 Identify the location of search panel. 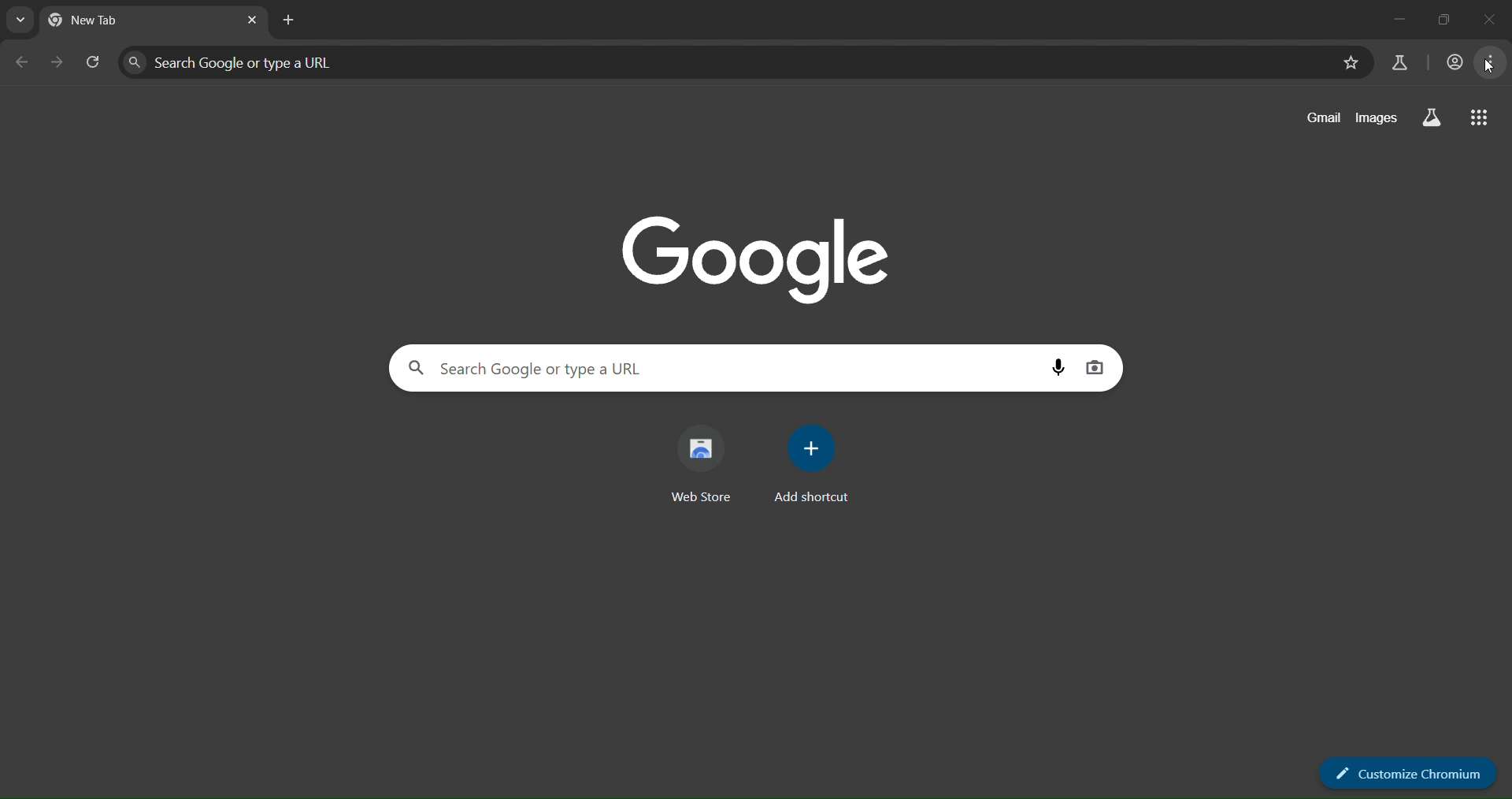
(729, 64).